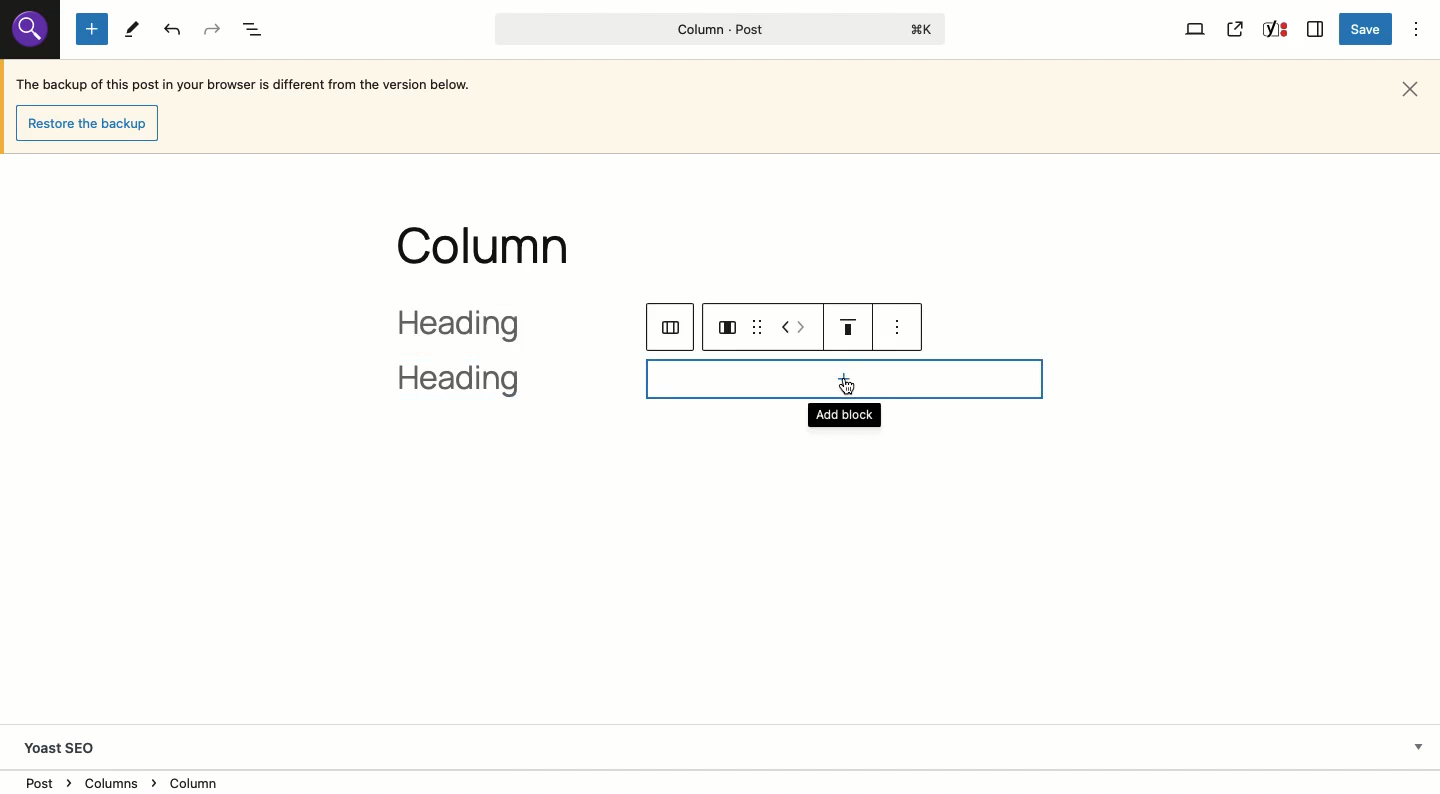  Describe the element at coordinates (68, 748) in the screenshot. I see `Yoast SEO` at that location.